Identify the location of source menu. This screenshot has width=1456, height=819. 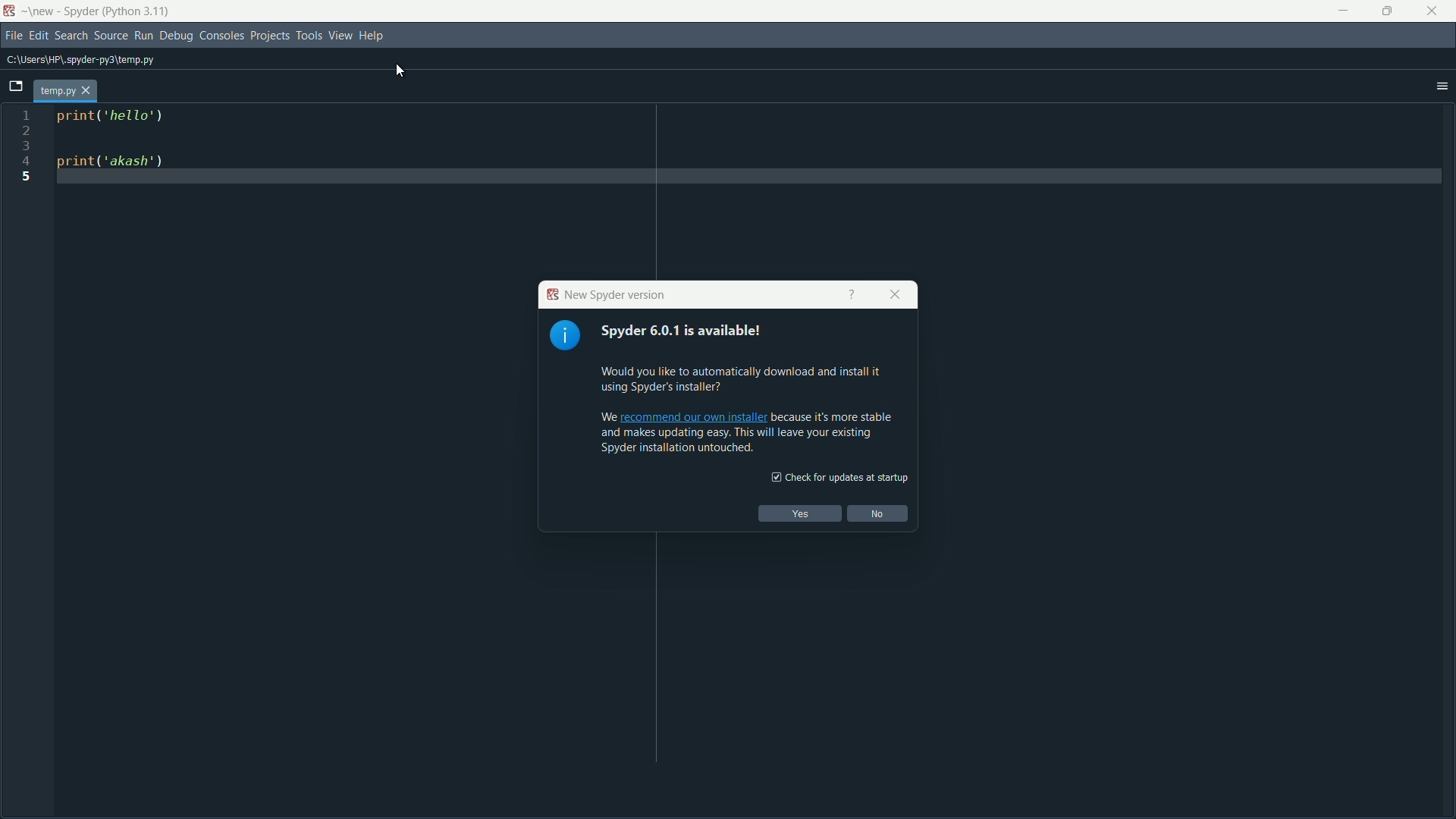
(111, 35).